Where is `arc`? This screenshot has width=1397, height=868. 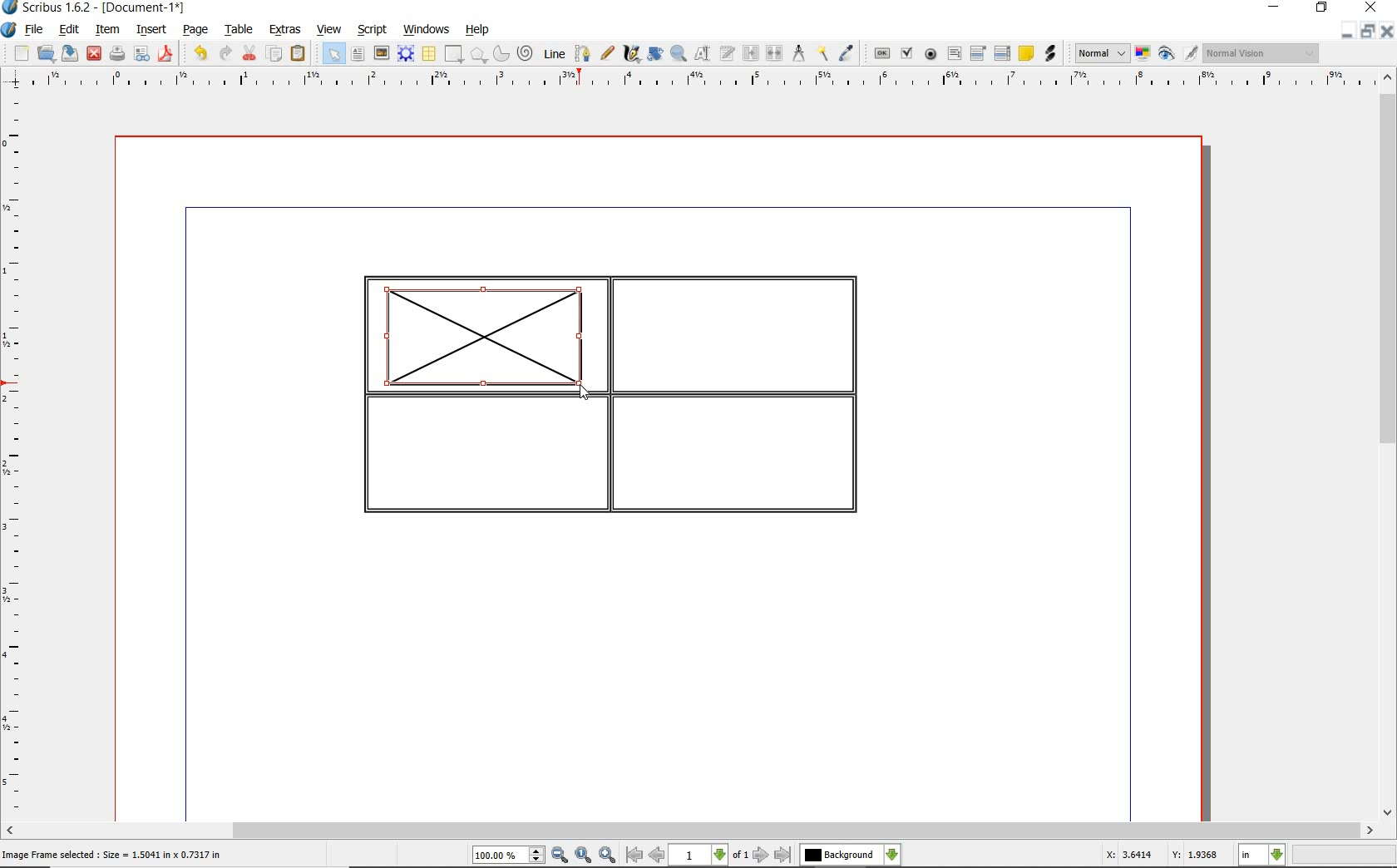
arc is located at coordinates (503, 55).